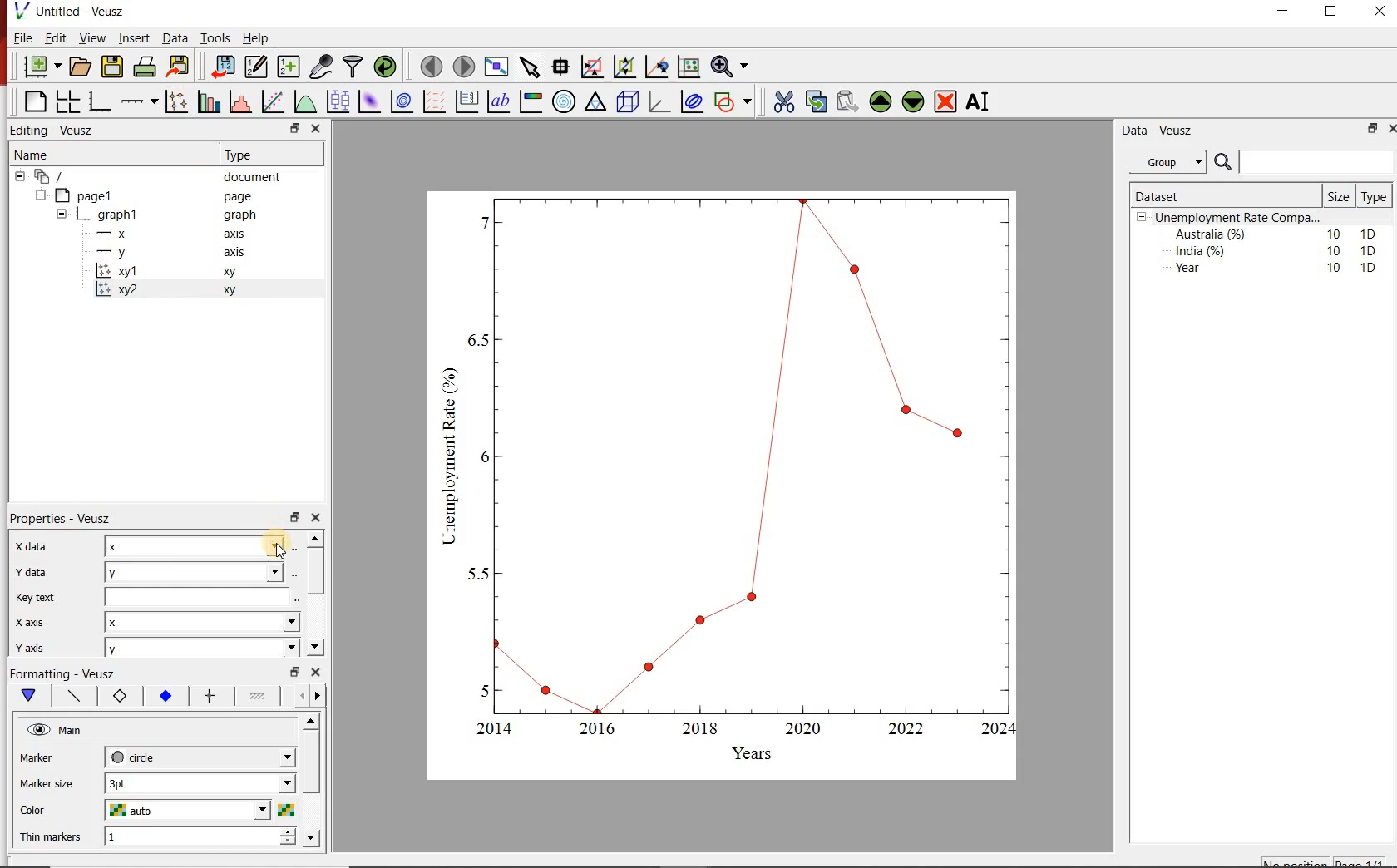 This screenshot has height=868, width=1397. Describe the element at coordinates (784, 101) in the screenshot. I see `cut the widgets` at that location.